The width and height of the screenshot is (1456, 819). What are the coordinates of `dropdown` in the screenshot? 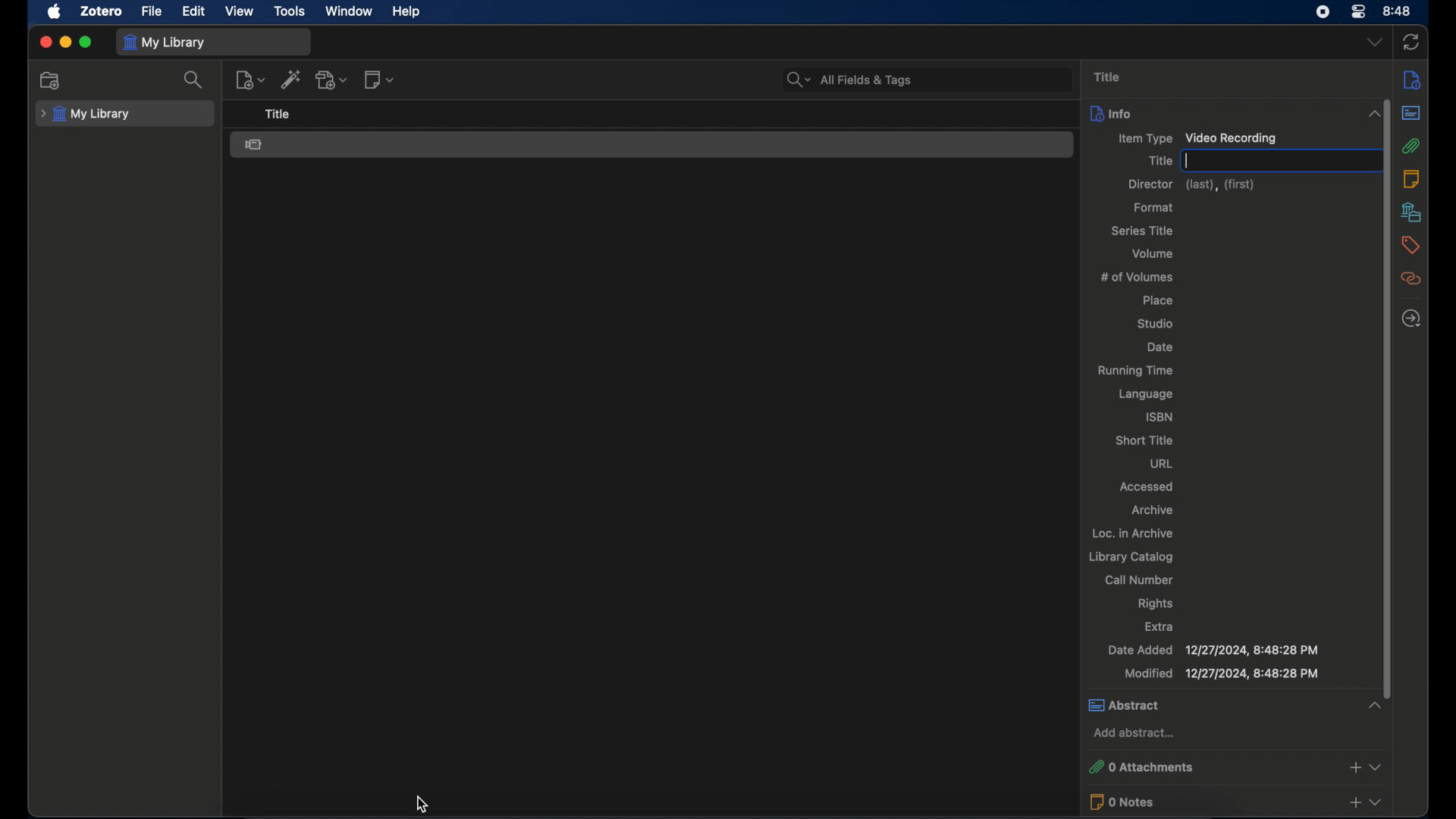 It's located at (1376, 803).